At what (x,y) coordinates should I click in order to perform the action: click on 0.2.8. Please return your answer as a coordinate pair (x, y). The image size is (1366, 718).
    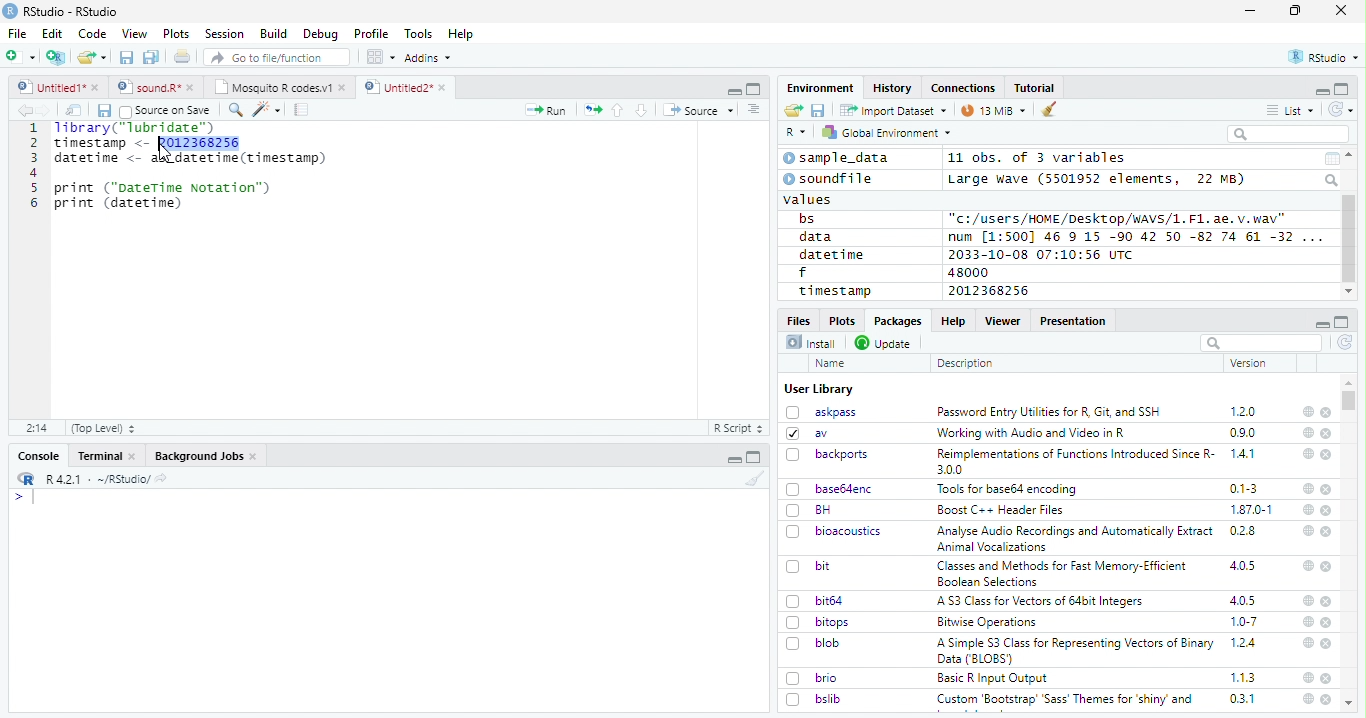
    Looking at the image, I should click on (1244, 530).